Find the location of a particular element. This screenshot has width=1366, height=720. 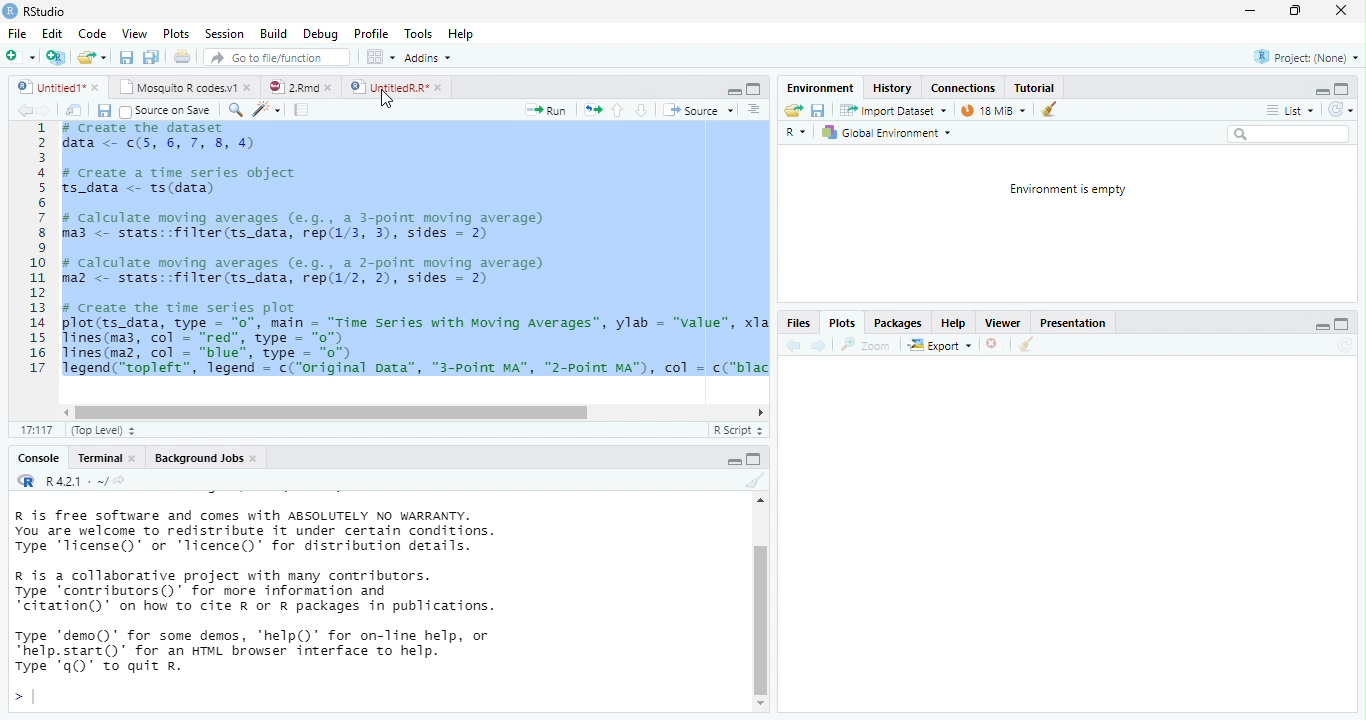

scrollbar right is located at coordinates (758, 413).